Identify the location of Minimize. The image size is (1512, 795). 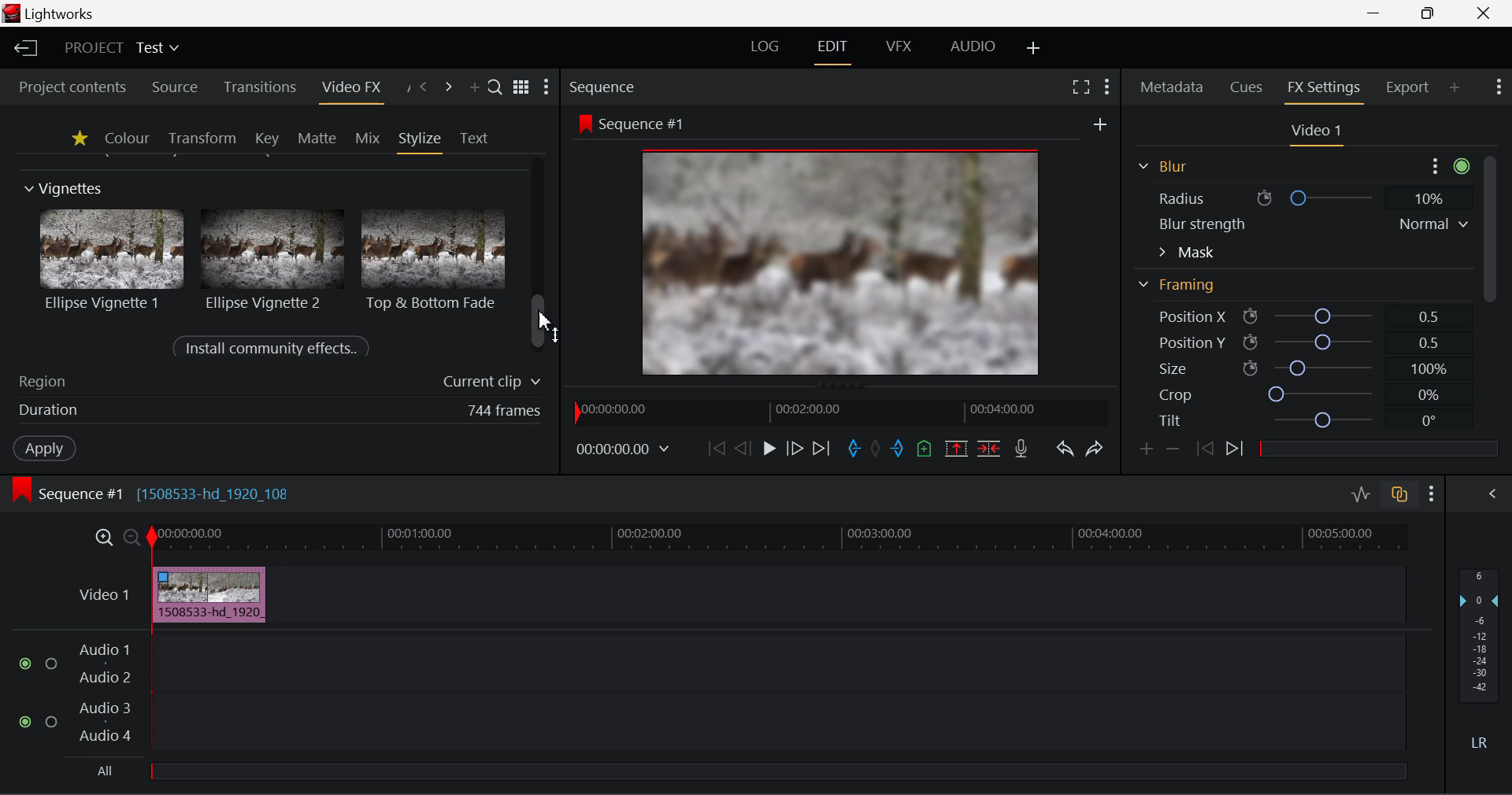
(1429, 14).